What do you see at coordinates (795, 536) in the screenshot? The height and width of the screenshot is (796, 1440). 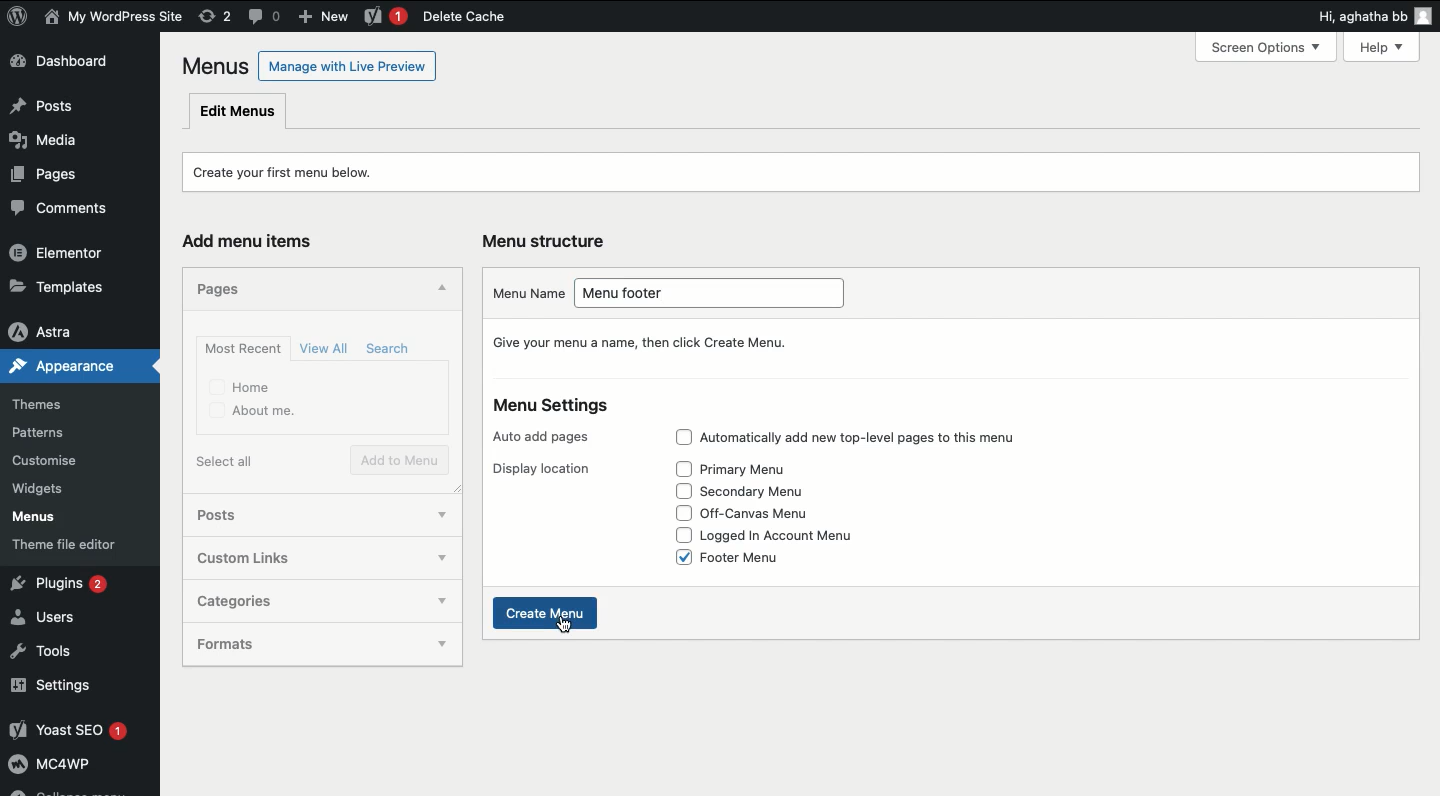 I see `Logged in account menu` at bounding box center [795, 536].